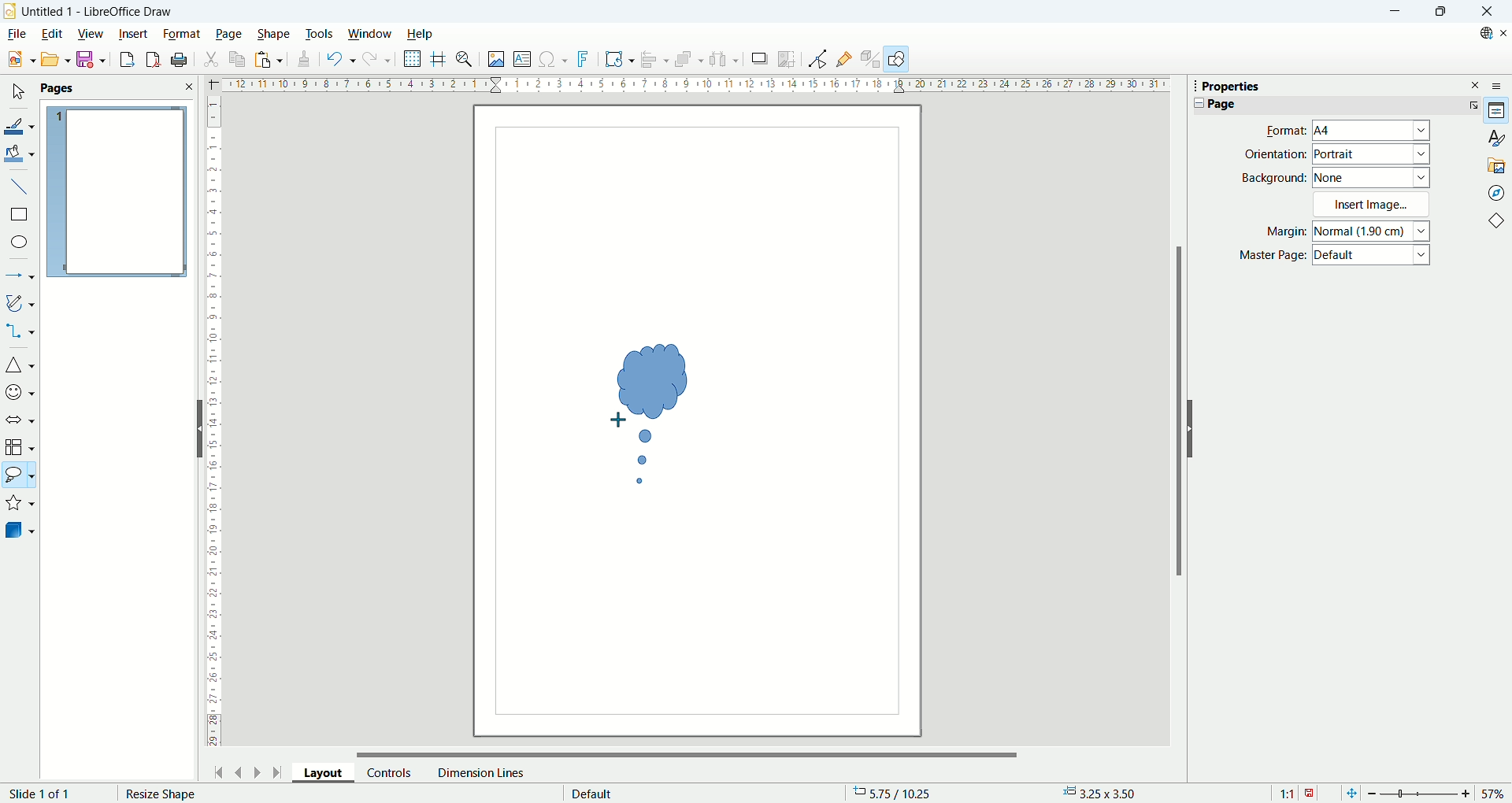 The image size is (1512, 803). Describe the element at coordinates (214, 425) in the screenshot. I see `Vetical ruler` at that location.